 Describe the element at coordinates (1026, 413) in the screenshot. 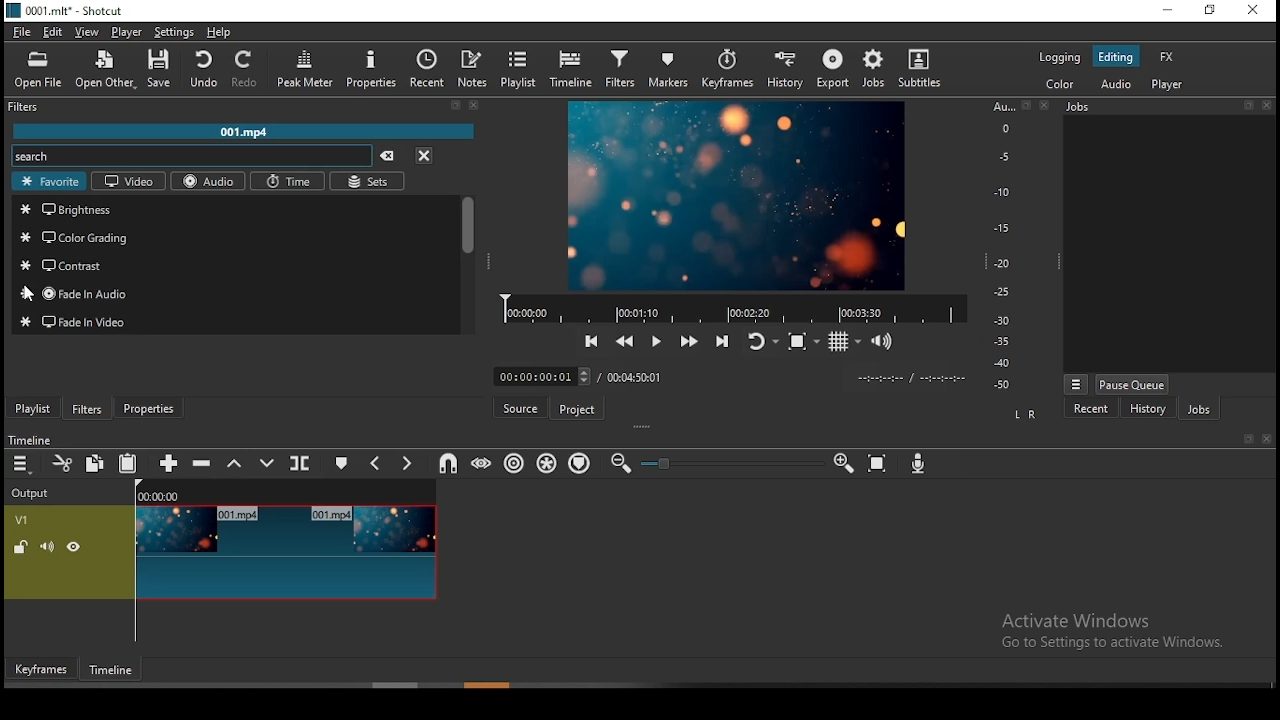

I see `L R` at that location.